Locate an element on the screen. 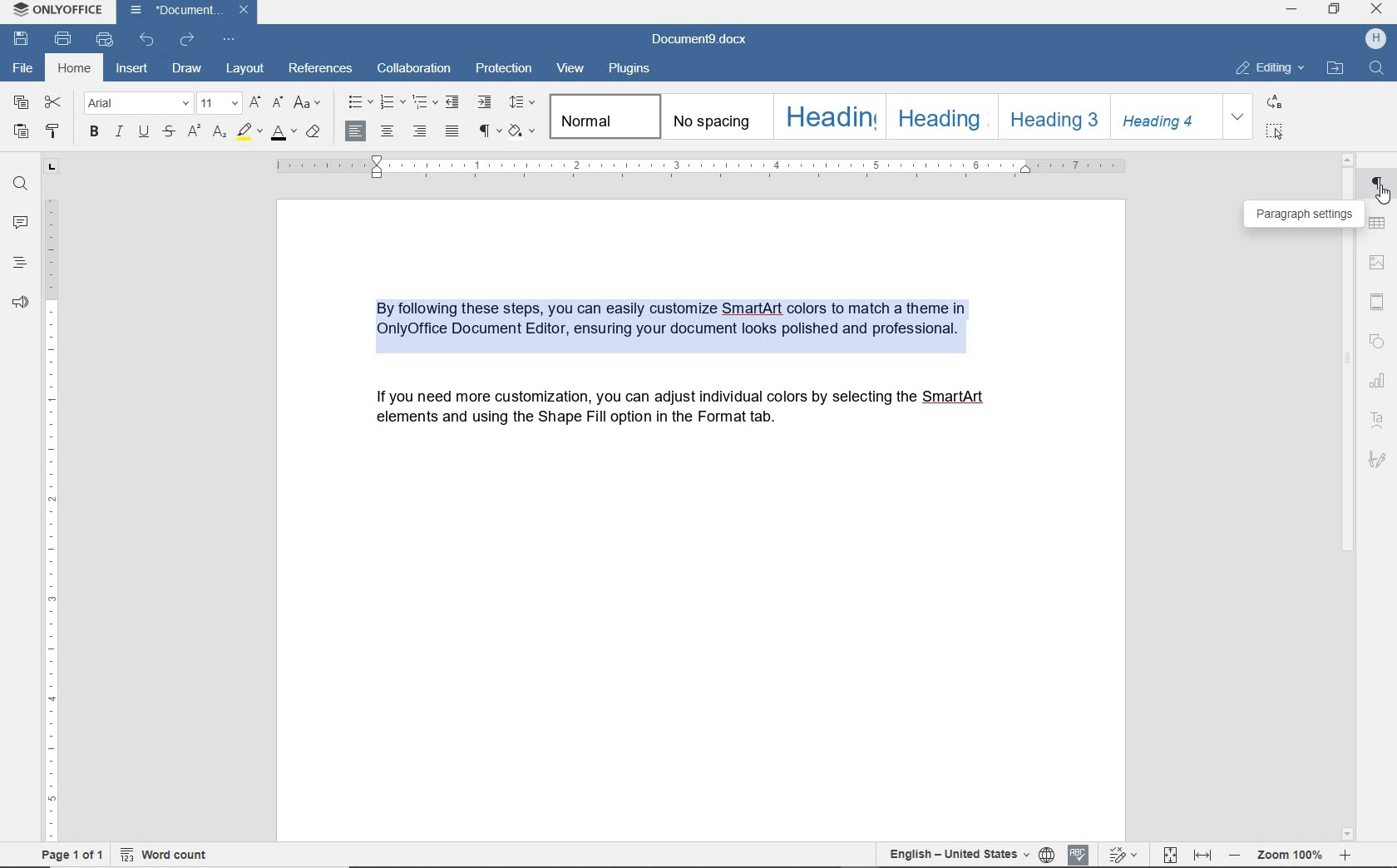 The width and height of the screenshot is (1397, 868). header & footer is located at coordinates (1380, 299).